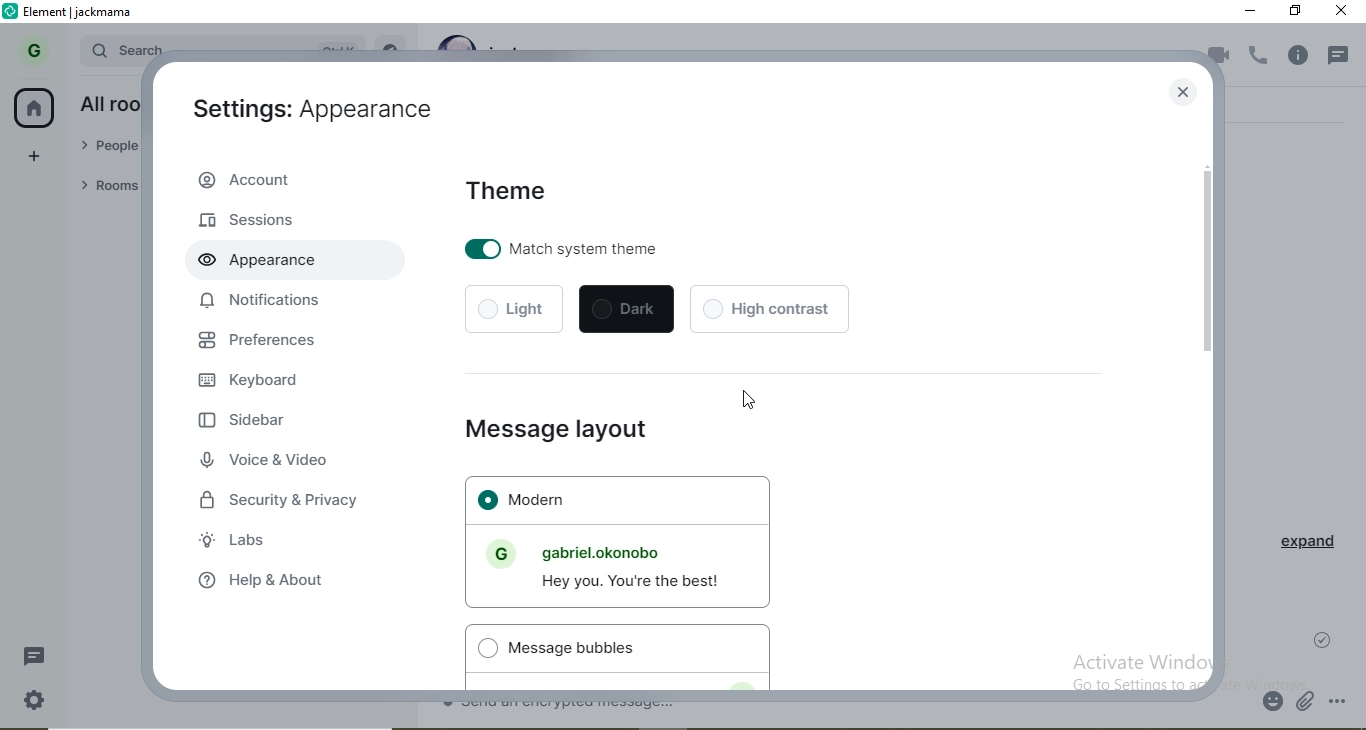  What do you see at coordinates (600, 250) in the screenshot?
I see `match system theme` at bounding box center [600, 250].